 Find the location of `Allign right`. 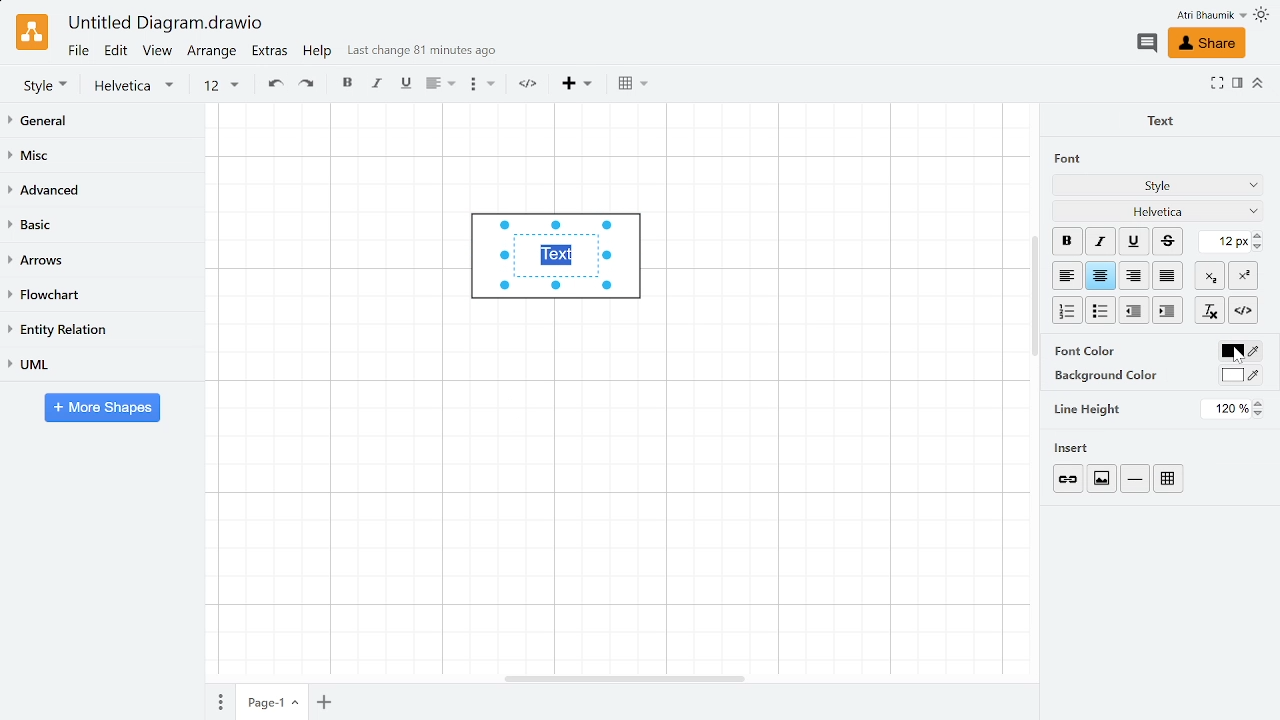

Allign right is located at coordinates (1135, 275).